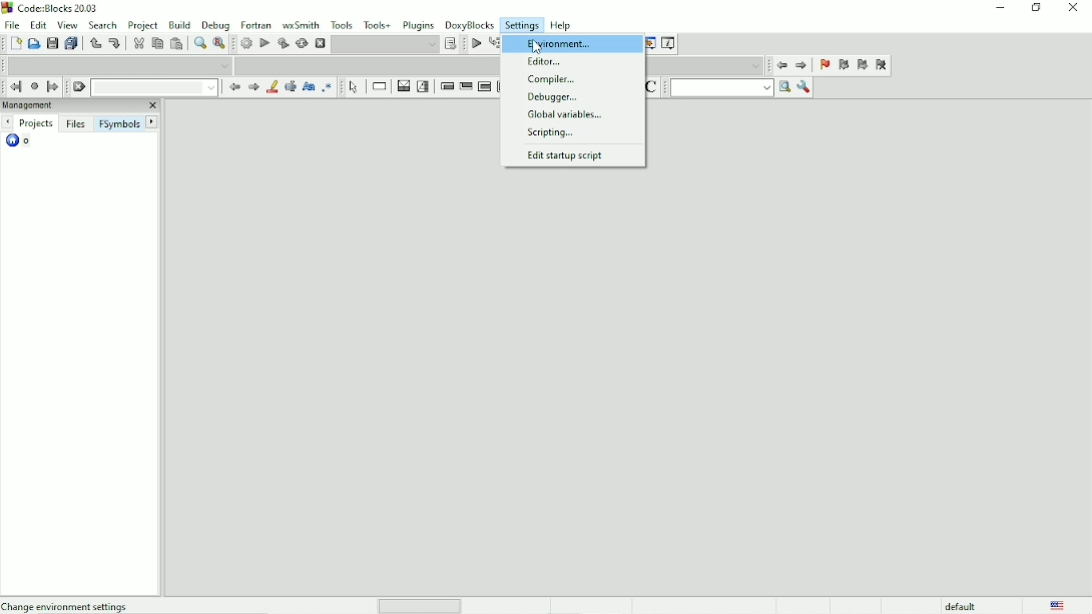  What do you see at coordinates (70, 44) in the screenshot?
I see `Save everything` at bounding box center [70, 44].